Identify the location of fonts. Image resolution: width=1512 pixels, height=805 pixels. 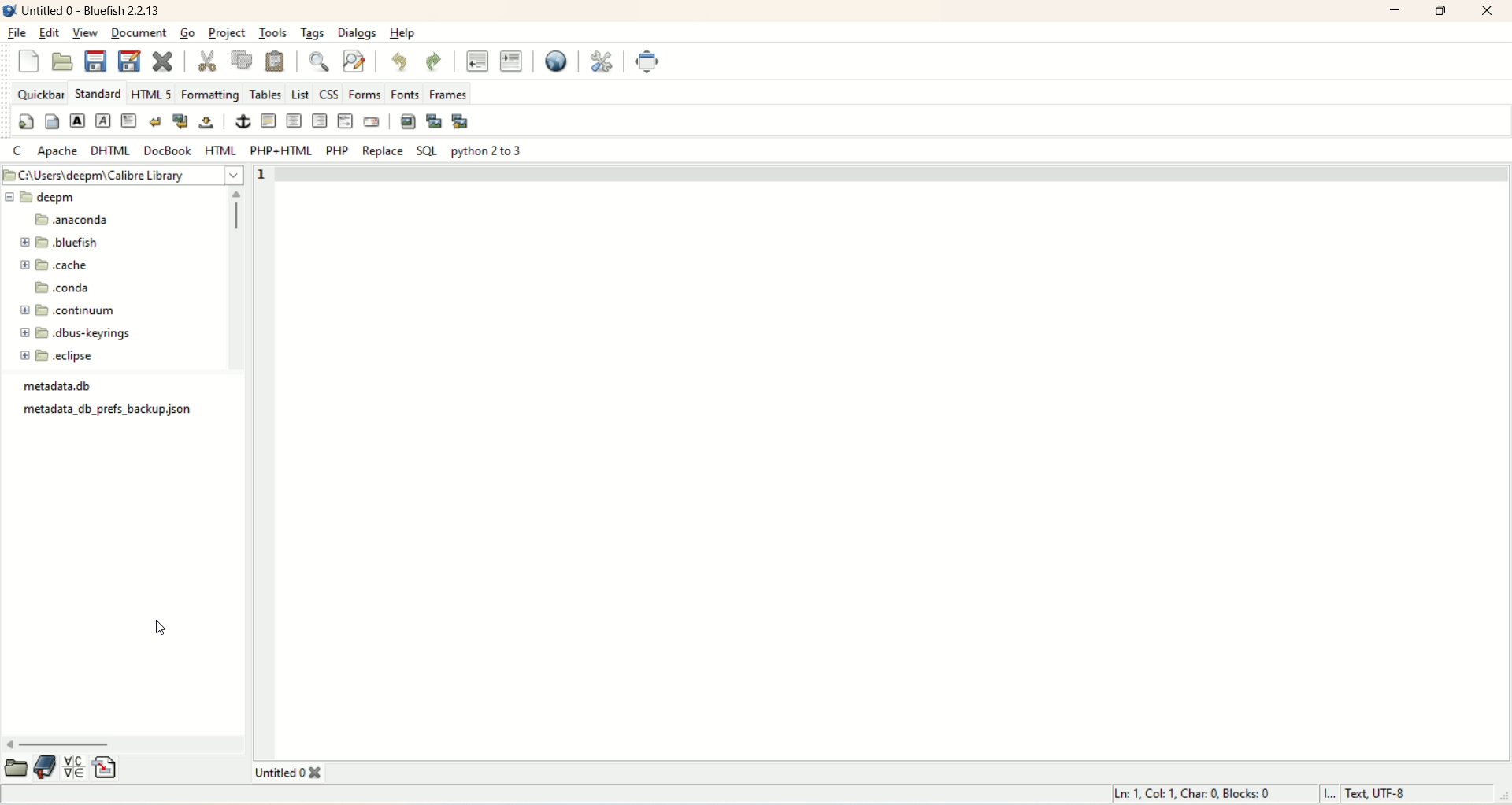
(408, 94).